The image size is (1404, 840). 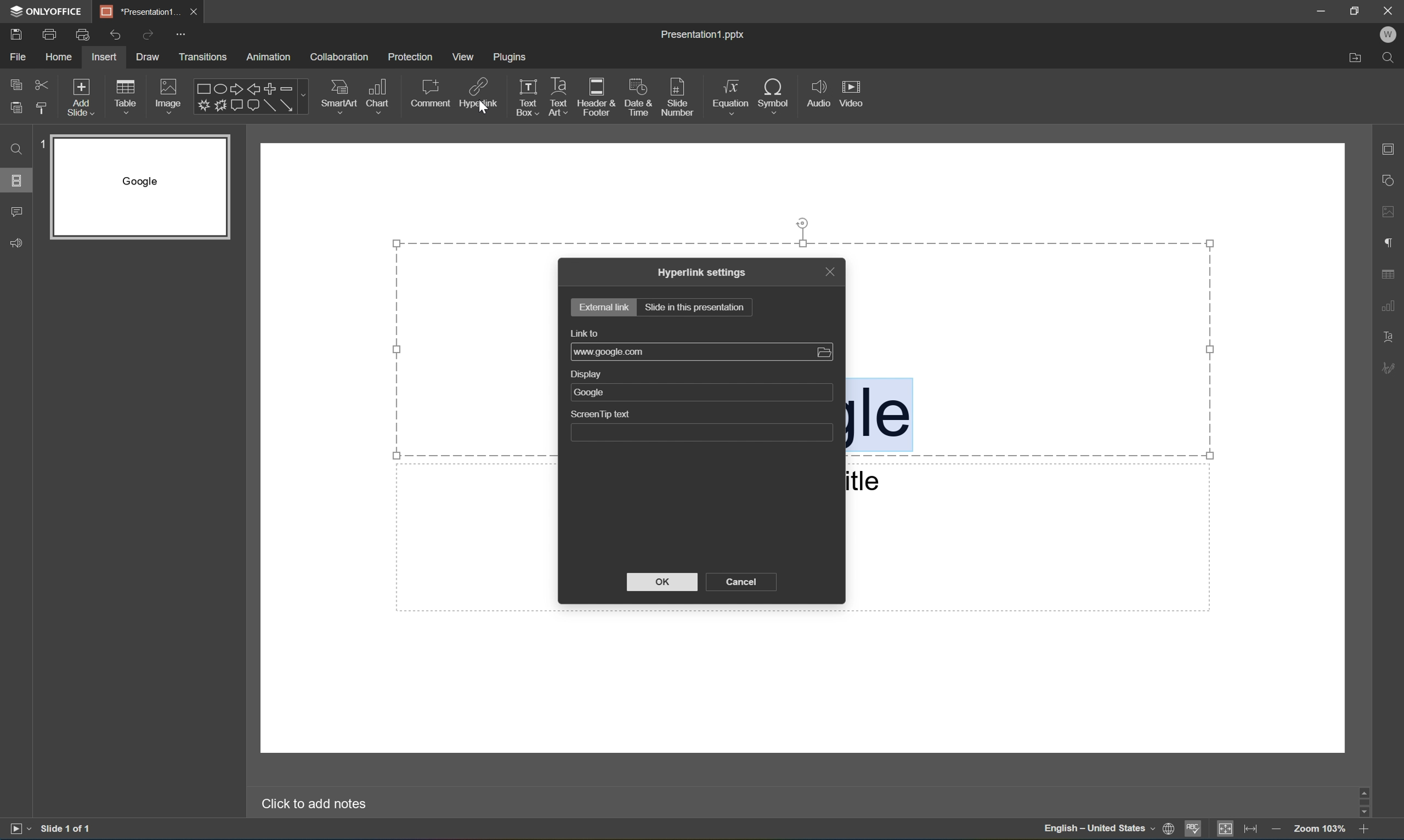 I want to click on Hyperlink settings, so click(x=703, y=272).